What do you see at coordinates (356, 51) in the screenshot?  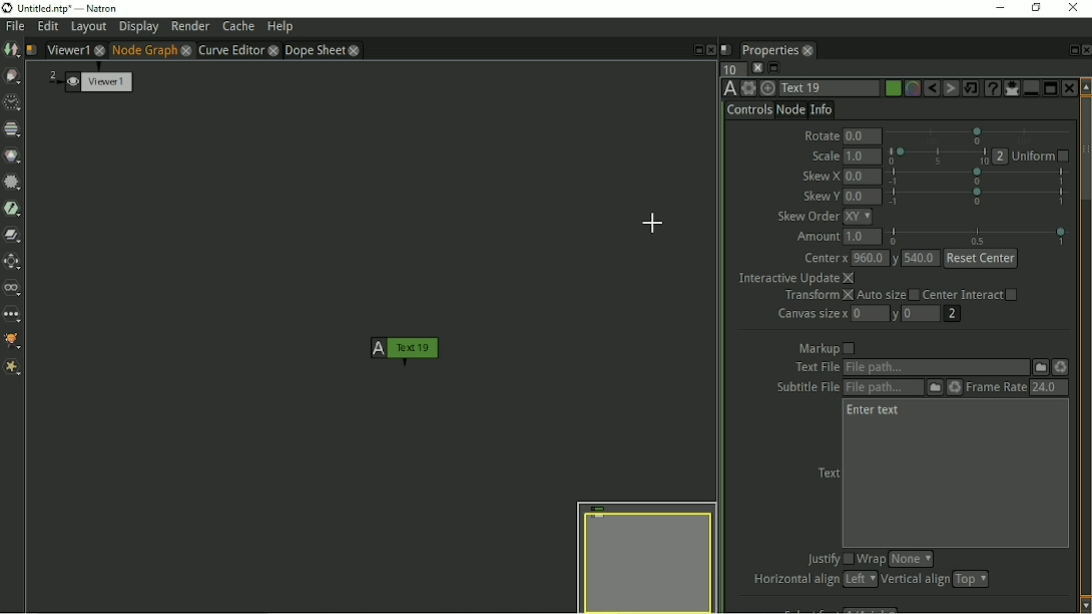 I see `close` at bounding box center [356, 51].